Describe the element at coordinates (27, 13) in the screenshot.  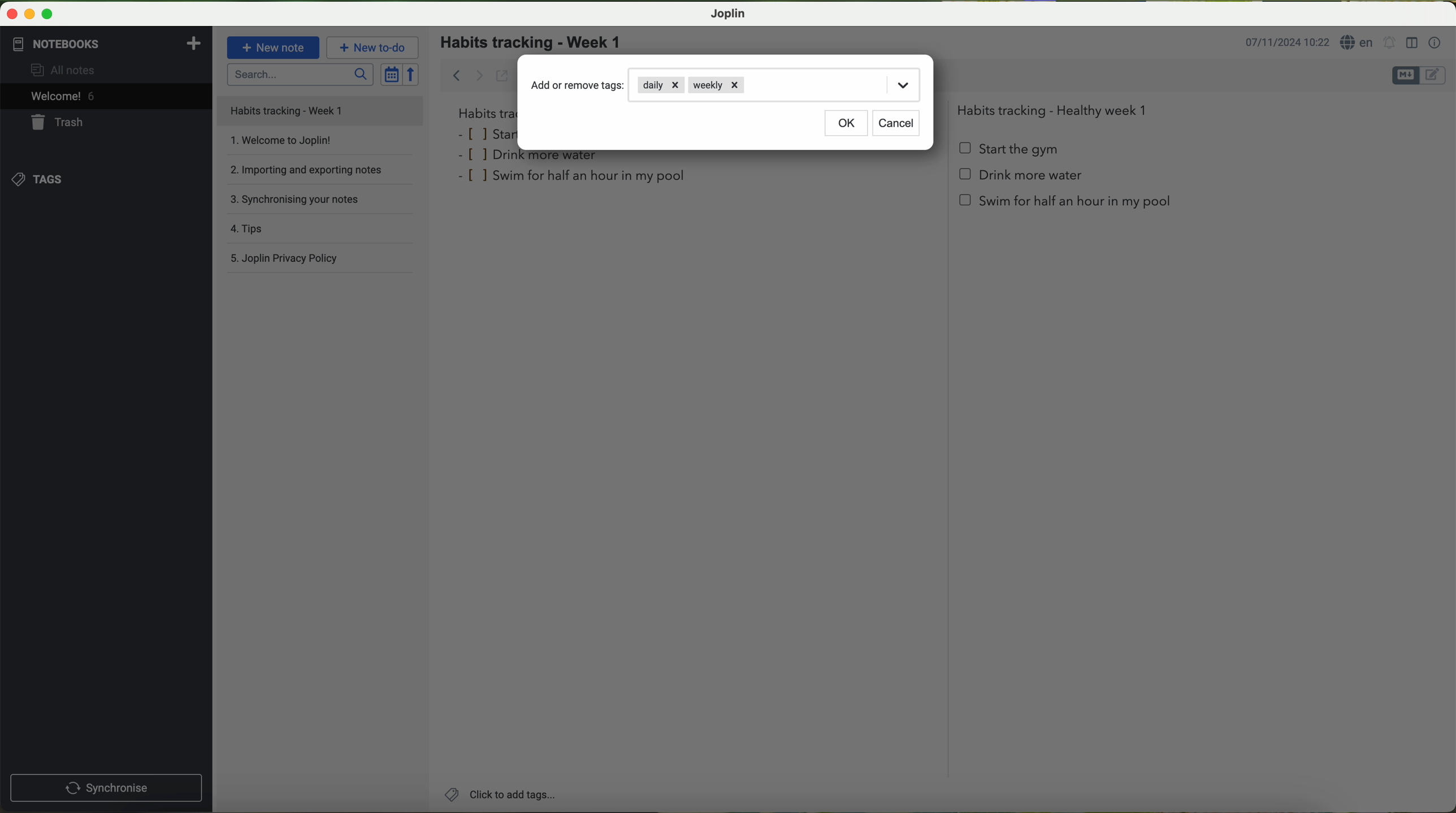
I see `minimize` at that location.